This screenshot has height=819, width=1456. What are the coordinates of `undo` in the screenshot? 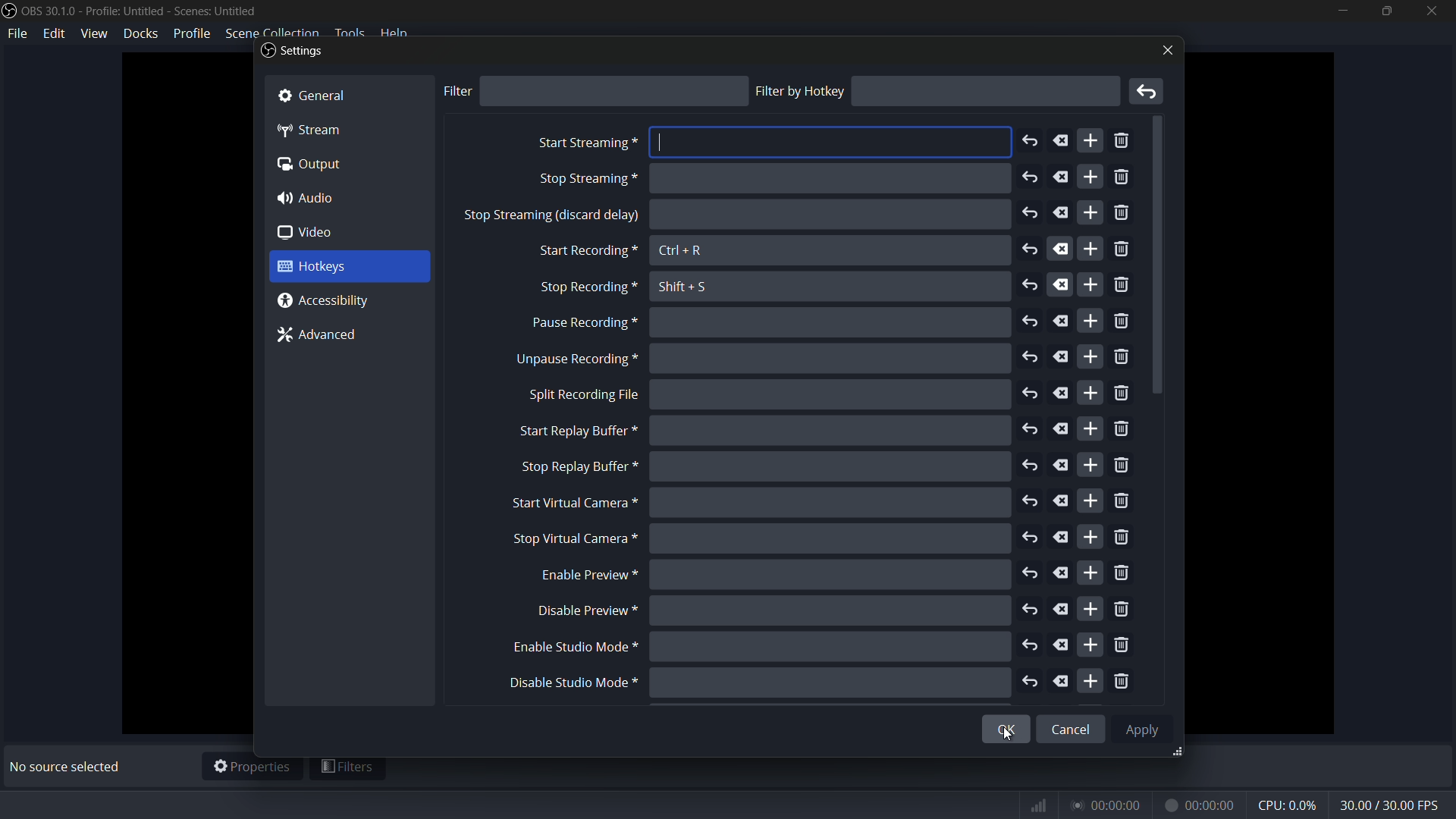 It's located at (1030, 214).